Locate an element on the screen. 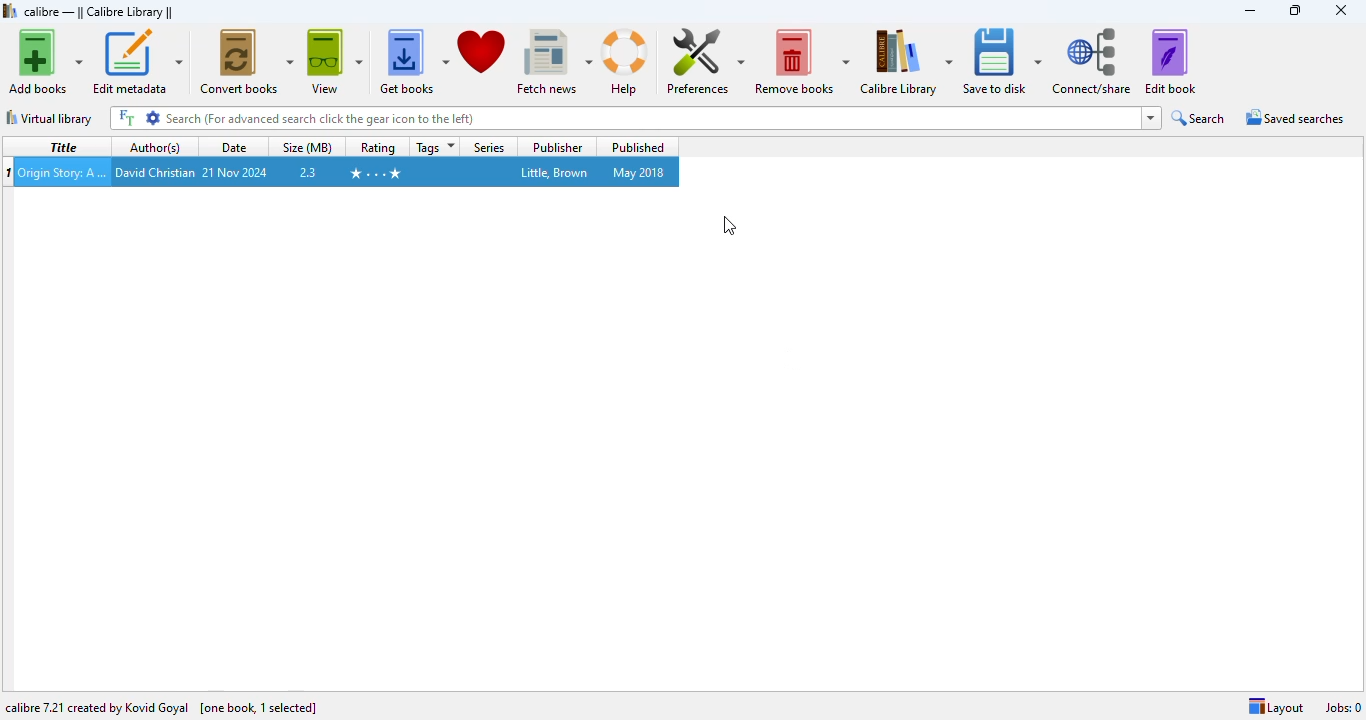  save to disk is located at coordinates (1003, 61).